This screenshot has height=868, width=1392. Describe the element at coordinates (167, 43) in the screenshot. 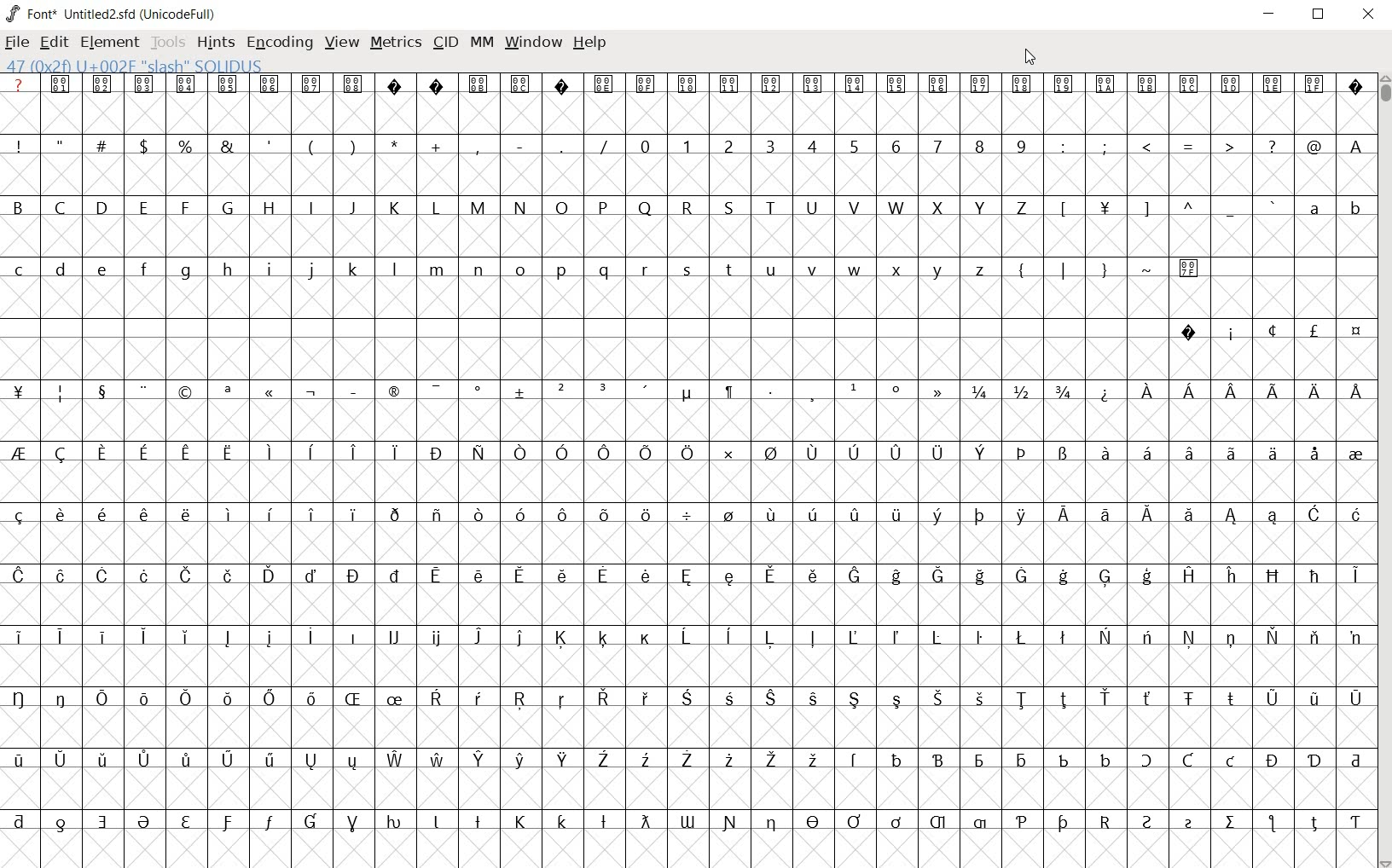

I see `TOOLS` at that location.